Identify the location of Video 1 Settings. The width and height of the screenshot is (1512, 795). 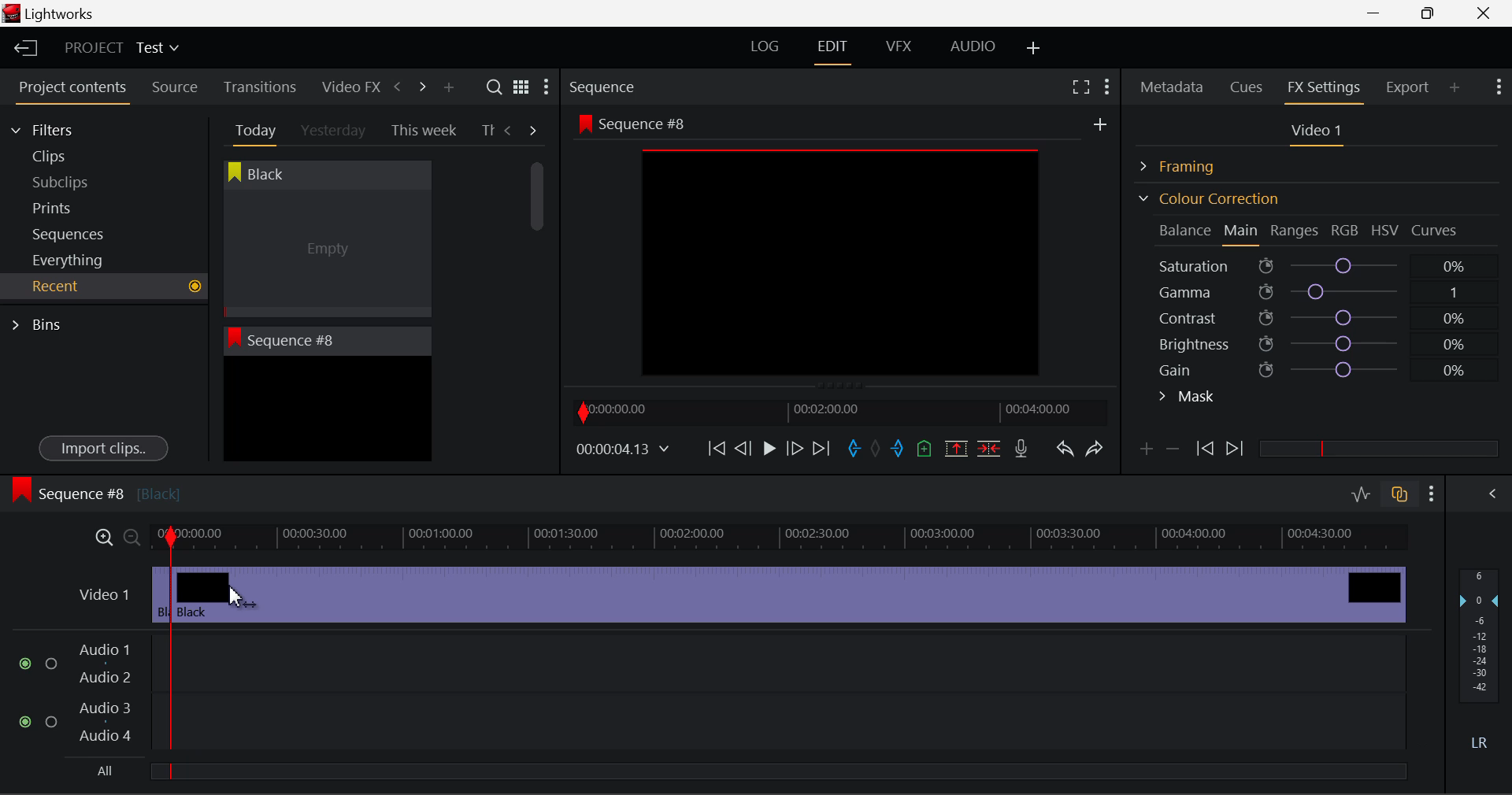
(1319, 134).